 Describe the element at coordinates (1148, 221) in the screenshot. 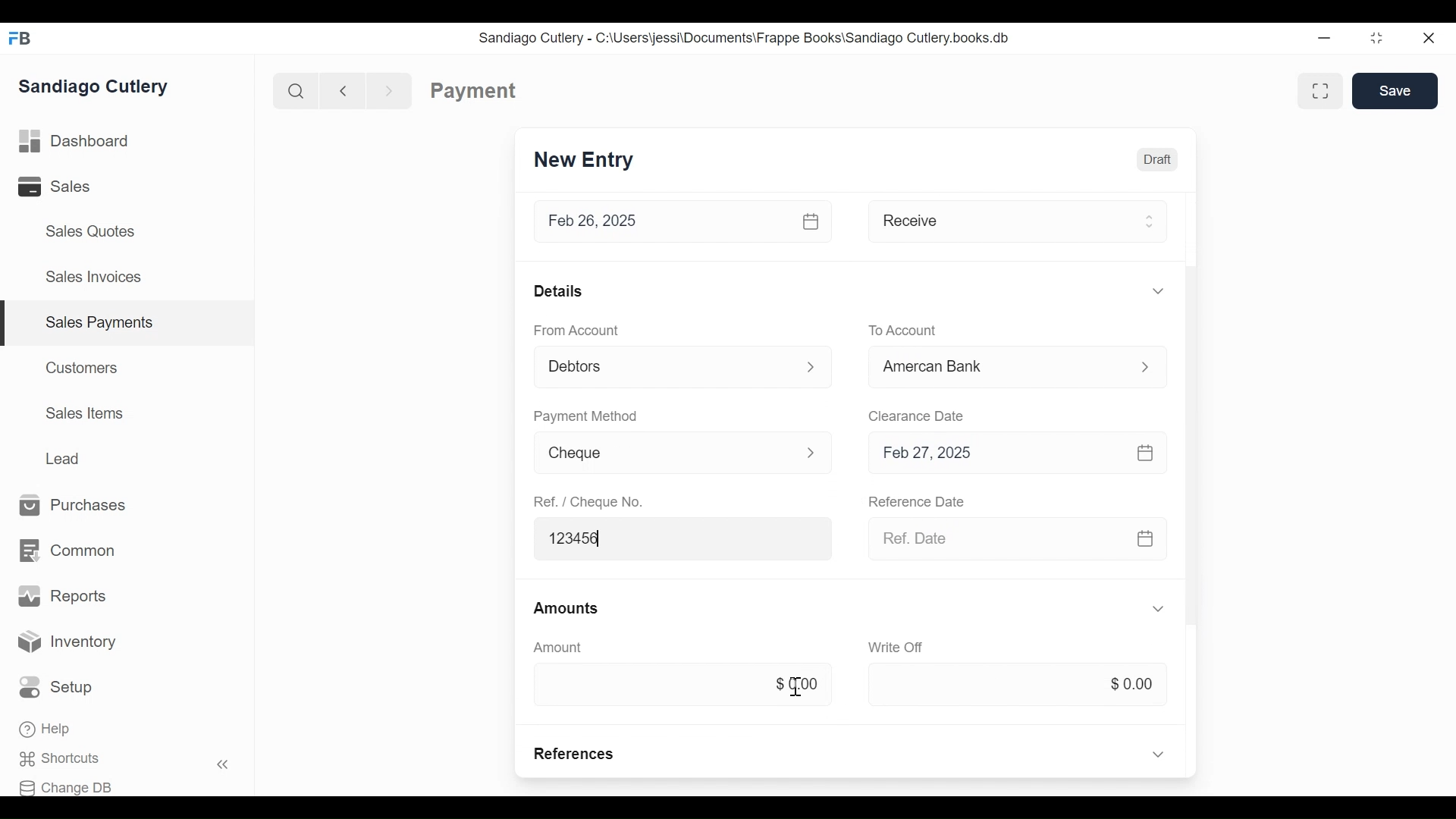

I see `Expand` at that location.